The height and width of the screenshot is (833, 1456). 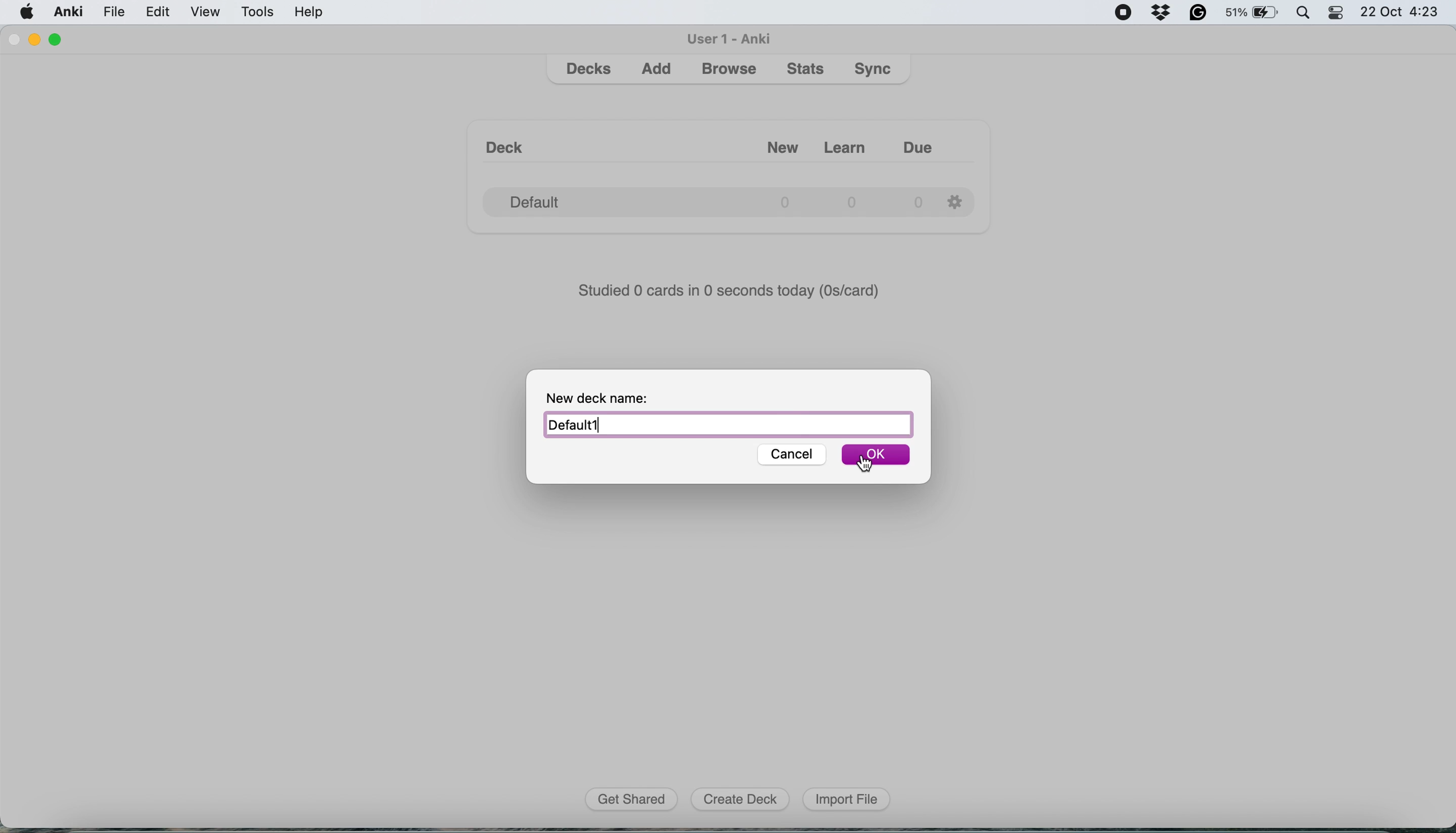 I want to click on Deck, so click(x=510, y=141).